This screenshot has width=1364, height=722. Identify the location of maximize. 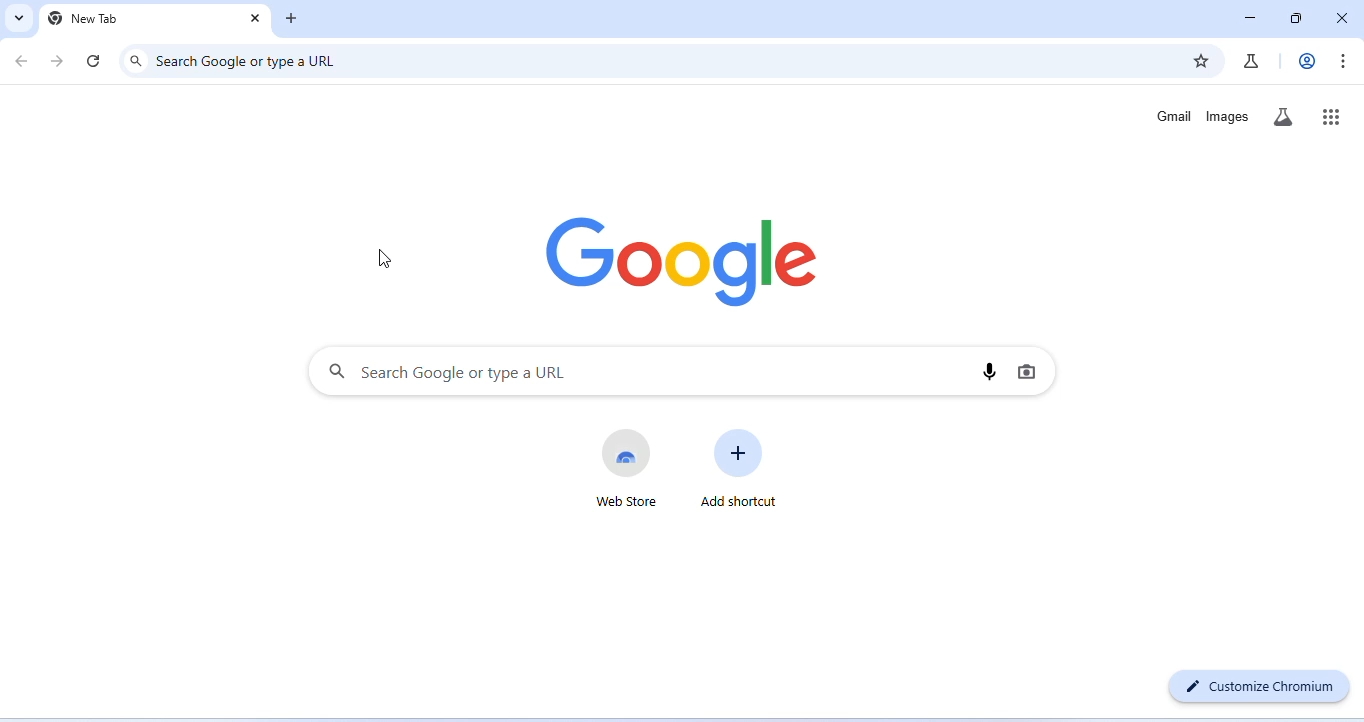
(1298, 18).